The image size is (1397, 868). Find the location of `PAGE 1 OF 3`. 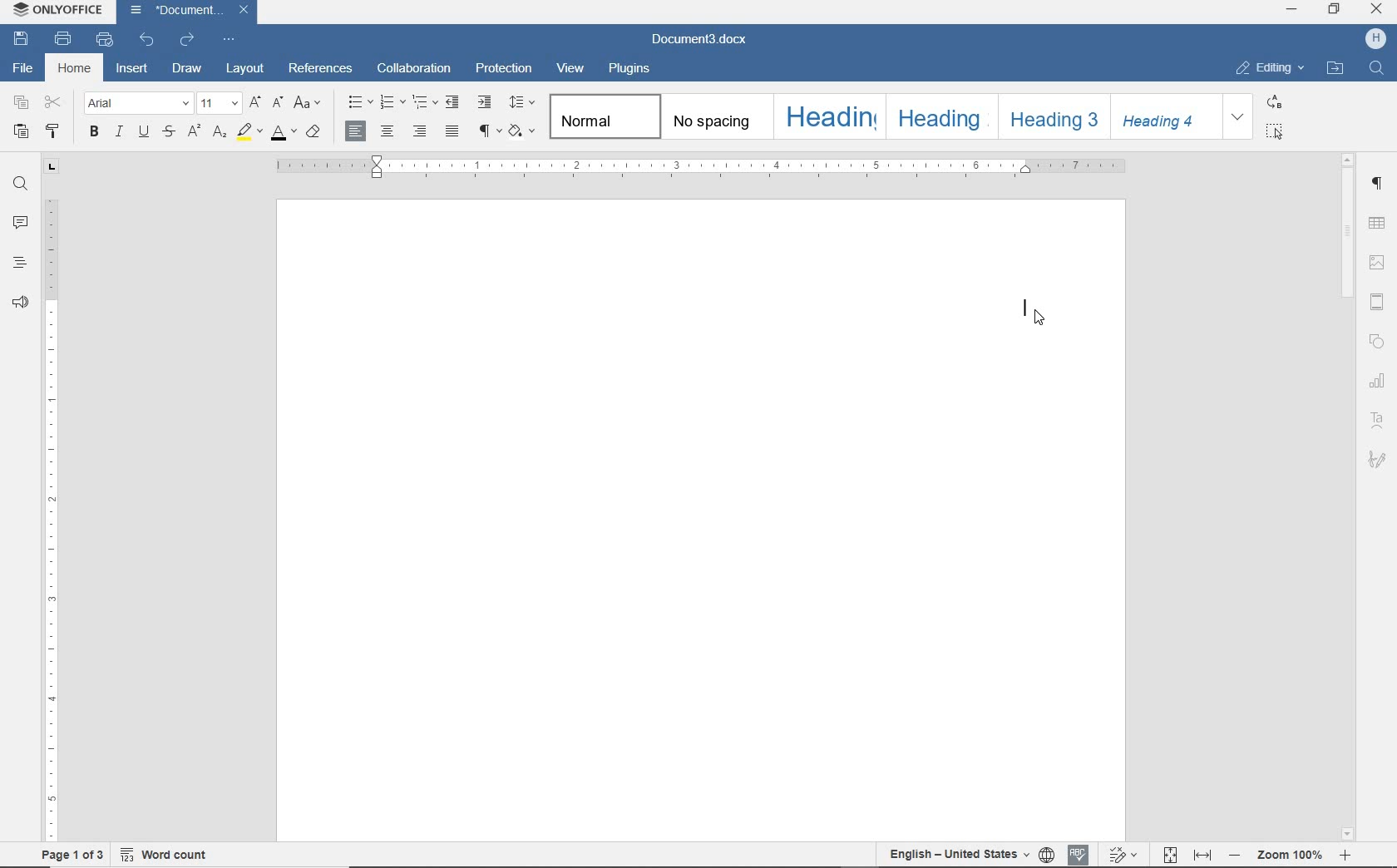

PAGE 1 OF 3 is located at coordinates (73, 856).